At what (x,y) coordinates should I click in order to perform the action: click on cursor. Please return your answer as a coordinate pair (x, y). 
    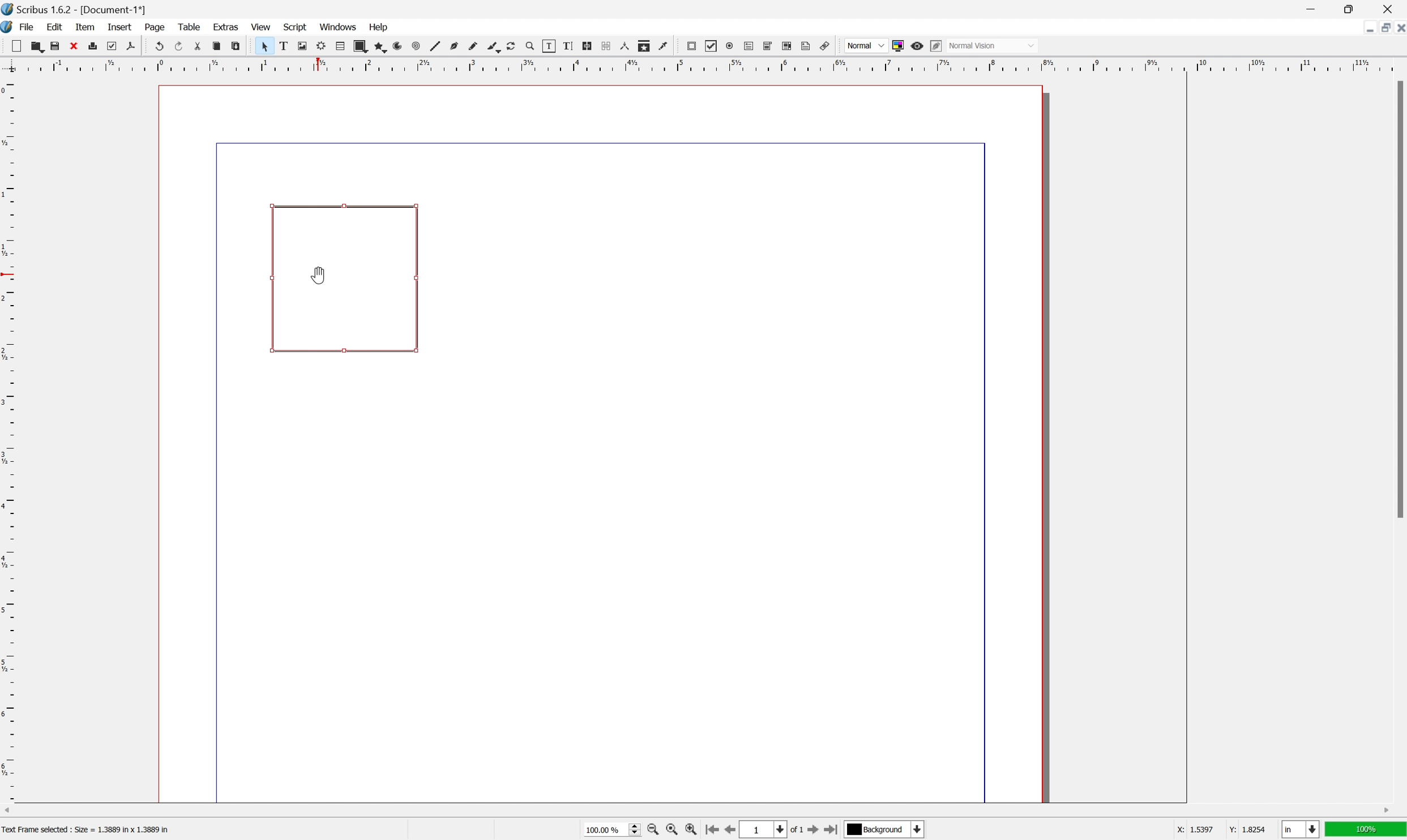
    Looking at the image, I should click on (318, 278).